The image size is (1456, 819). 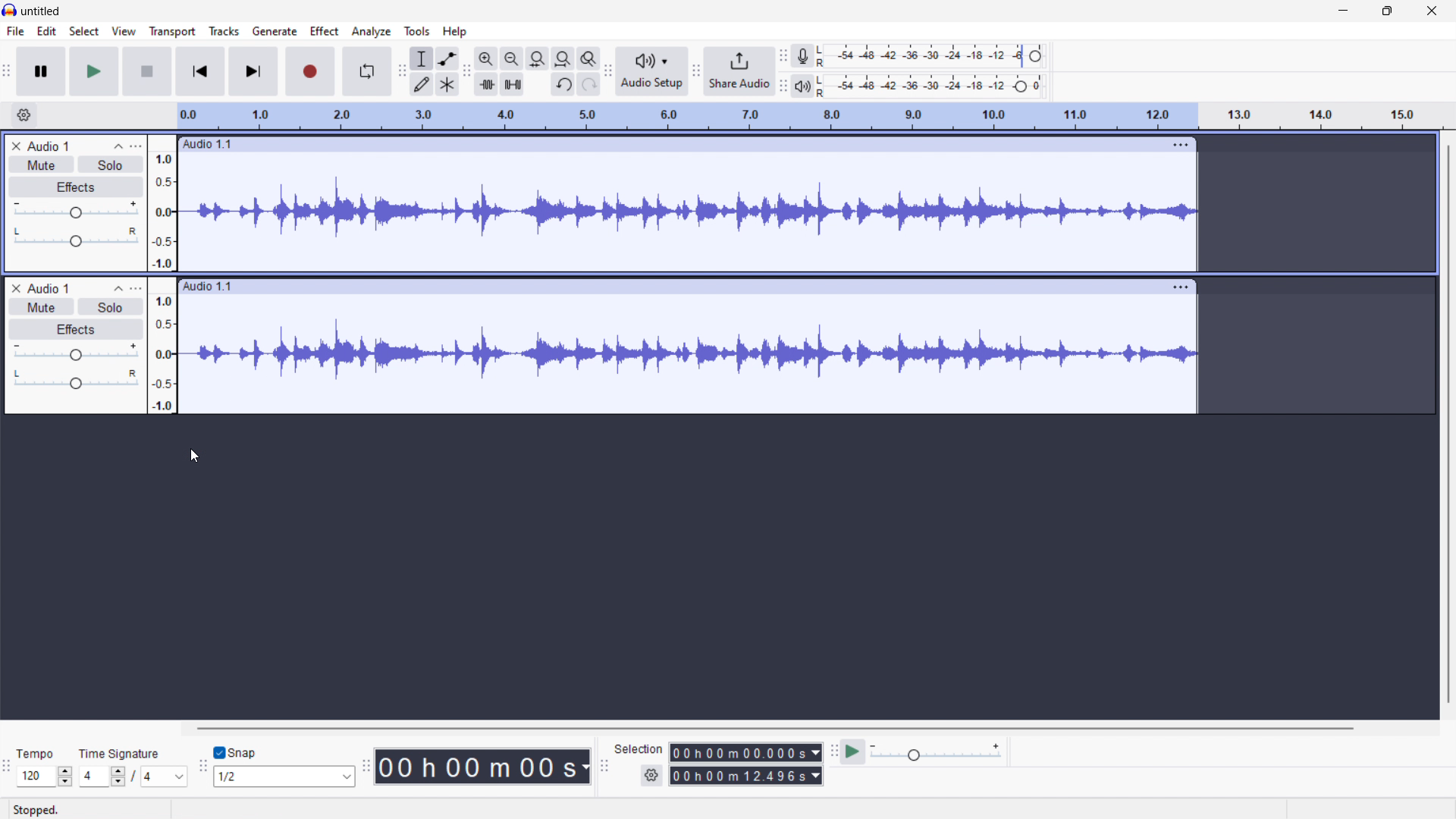 What do you see at coordinates (1173, 145) in the screenshot?
I see `track options` at bounding box center [1173, 145].